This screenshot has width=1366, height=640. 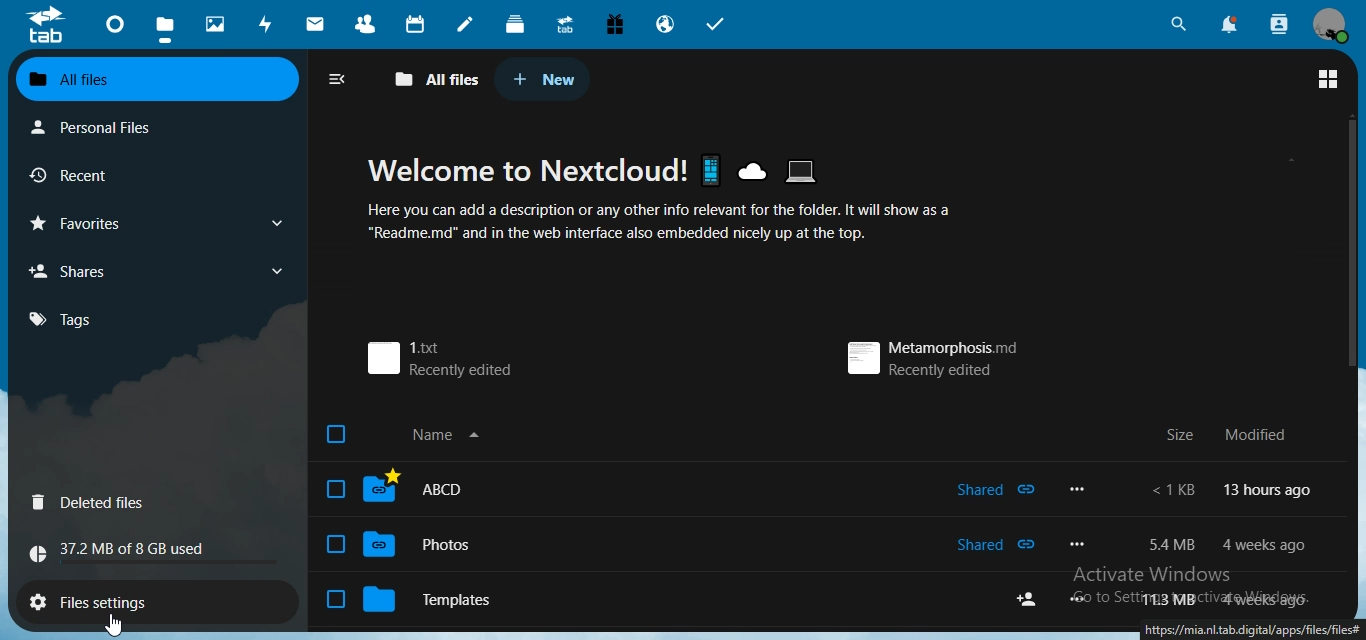 What do you see at coordinates (1262, 544) in the screenshot?
I see `text` at bounding box center [1262, 544].